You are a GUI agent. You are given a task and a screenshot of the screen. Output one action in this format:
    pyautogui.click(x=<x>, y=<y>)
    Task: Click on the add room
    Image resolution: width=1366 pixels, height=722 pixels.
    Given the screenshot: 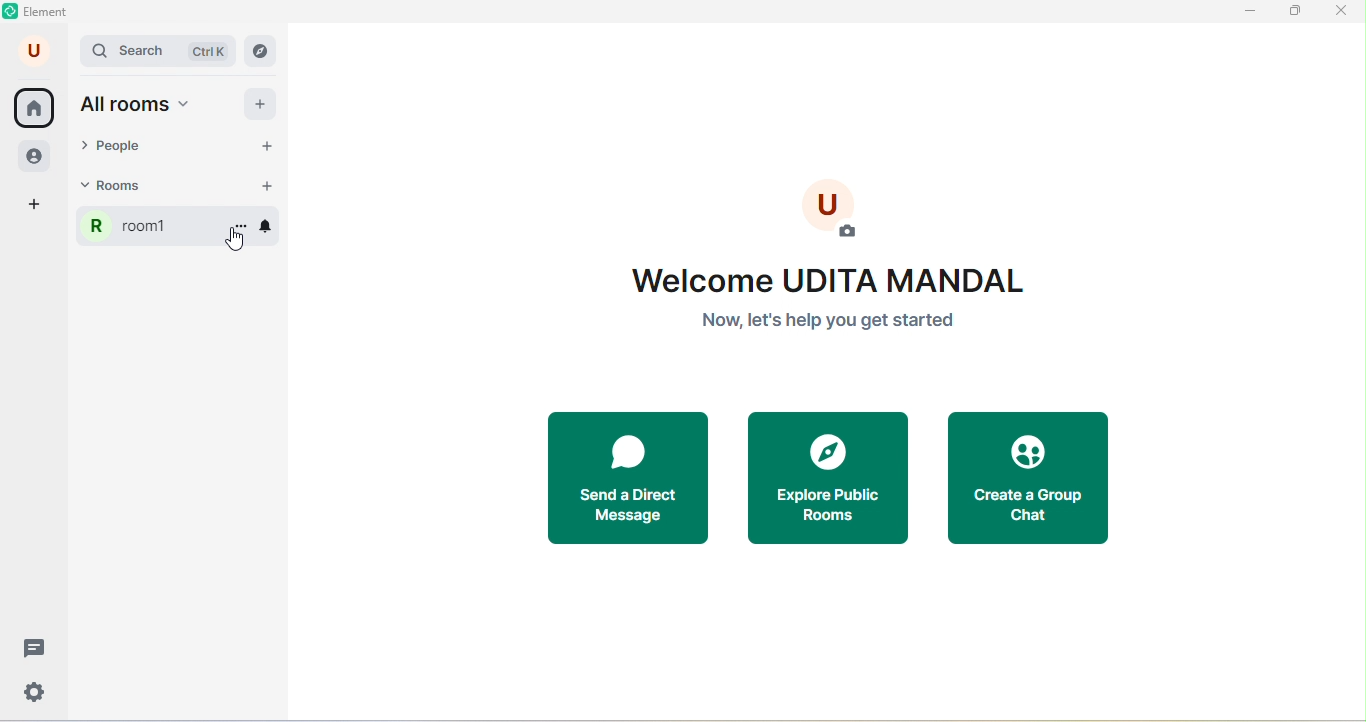 What is the action you would take?
    pyautogui.click(x=265, y=186)
    